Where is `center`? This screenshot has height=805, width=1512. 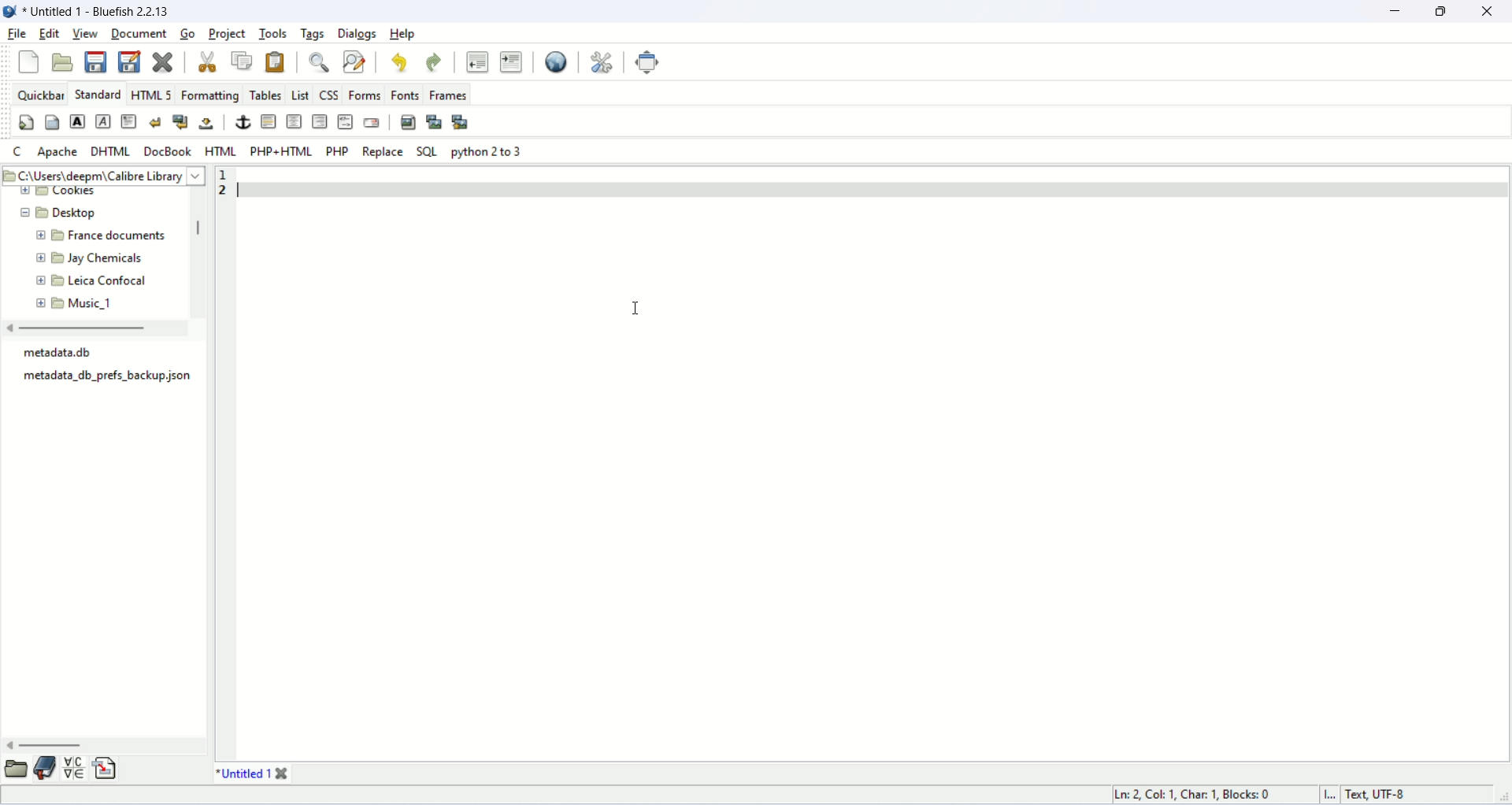
center is located at coordinates (293, 121).